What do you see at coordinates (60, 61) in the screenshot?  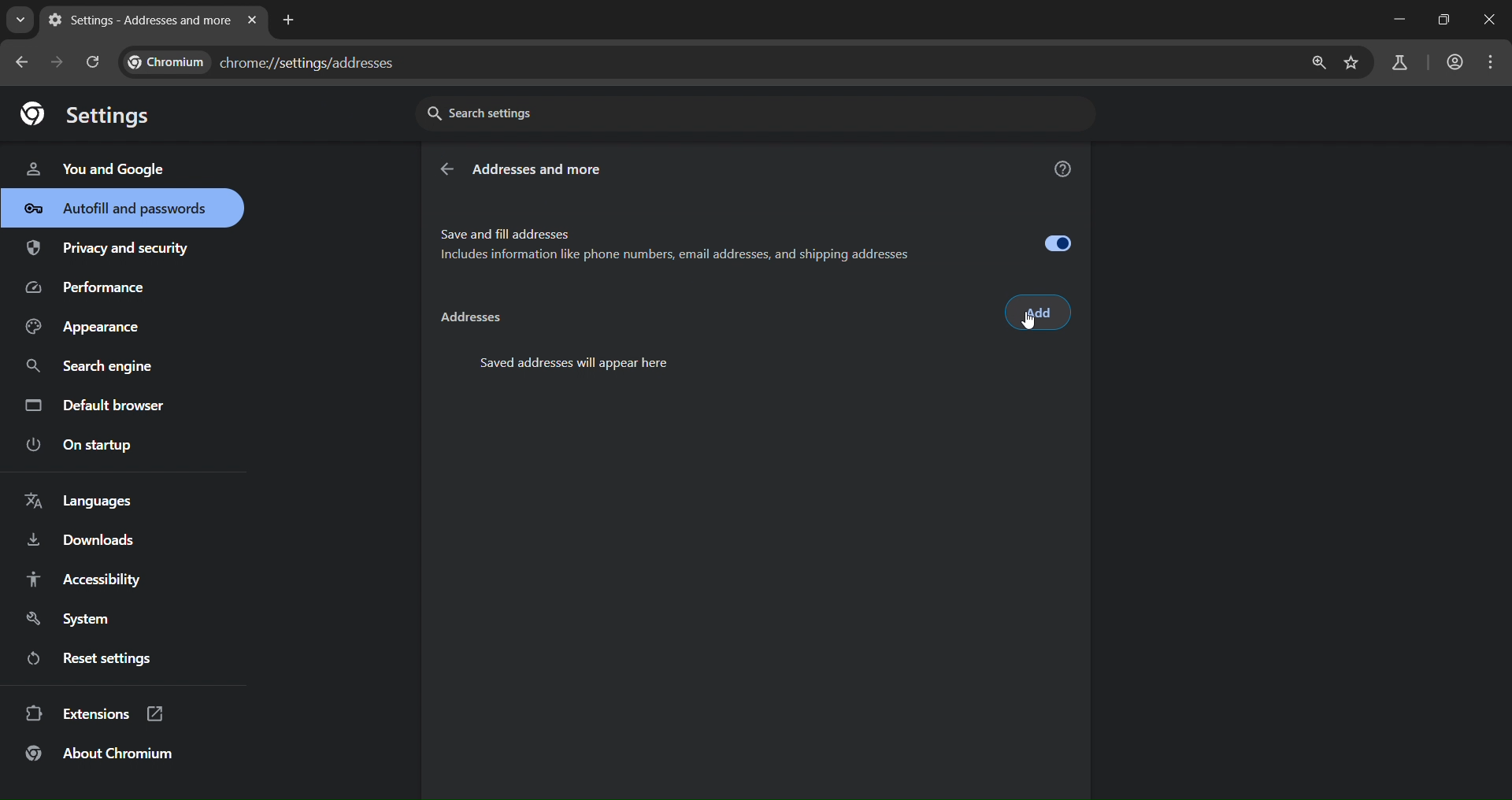 I see `go back one page` at bounding box center [60, 61].